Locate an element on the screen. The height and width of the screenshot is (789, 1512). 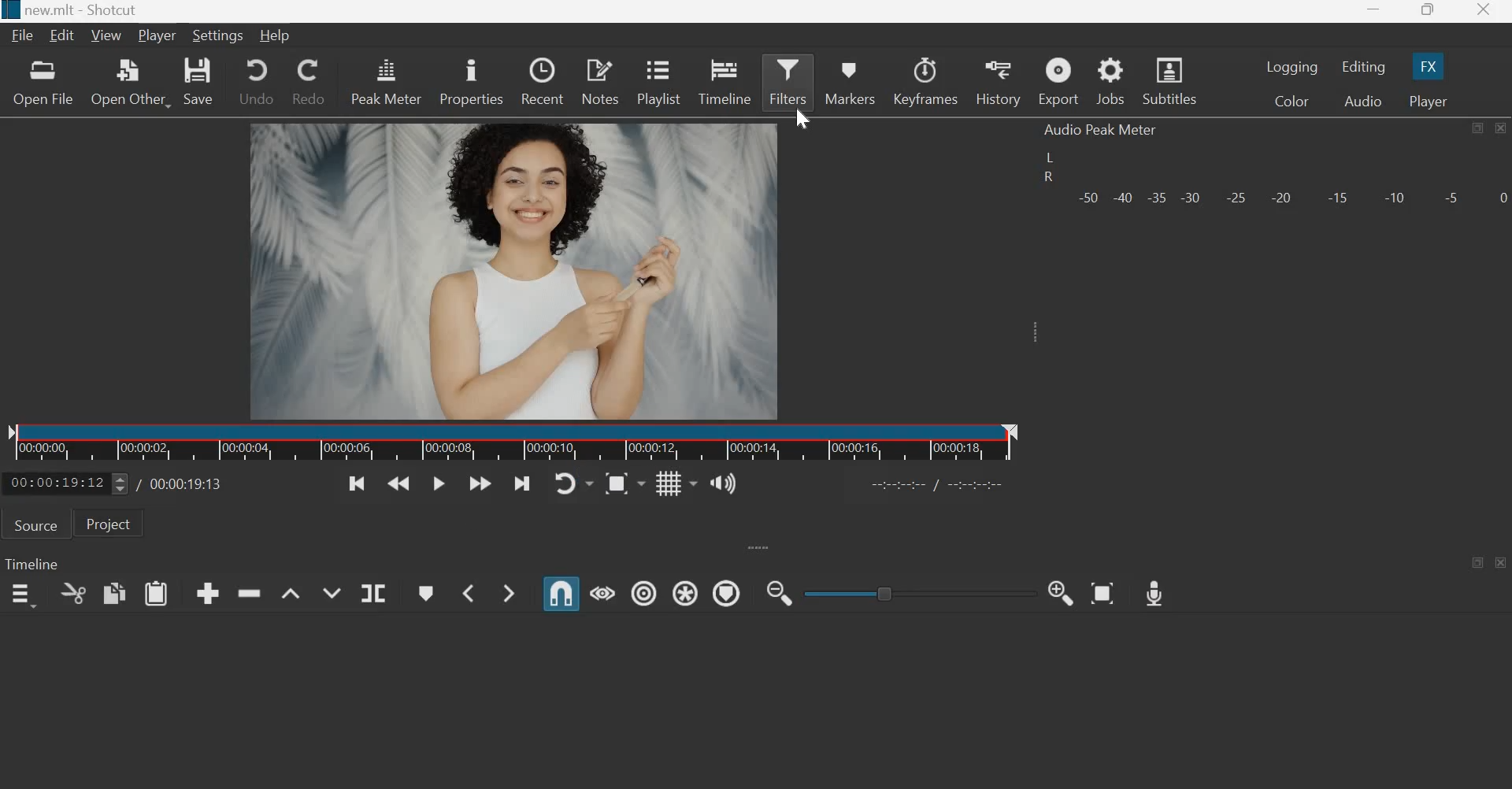
Edit is located at coordinates (65, 35).